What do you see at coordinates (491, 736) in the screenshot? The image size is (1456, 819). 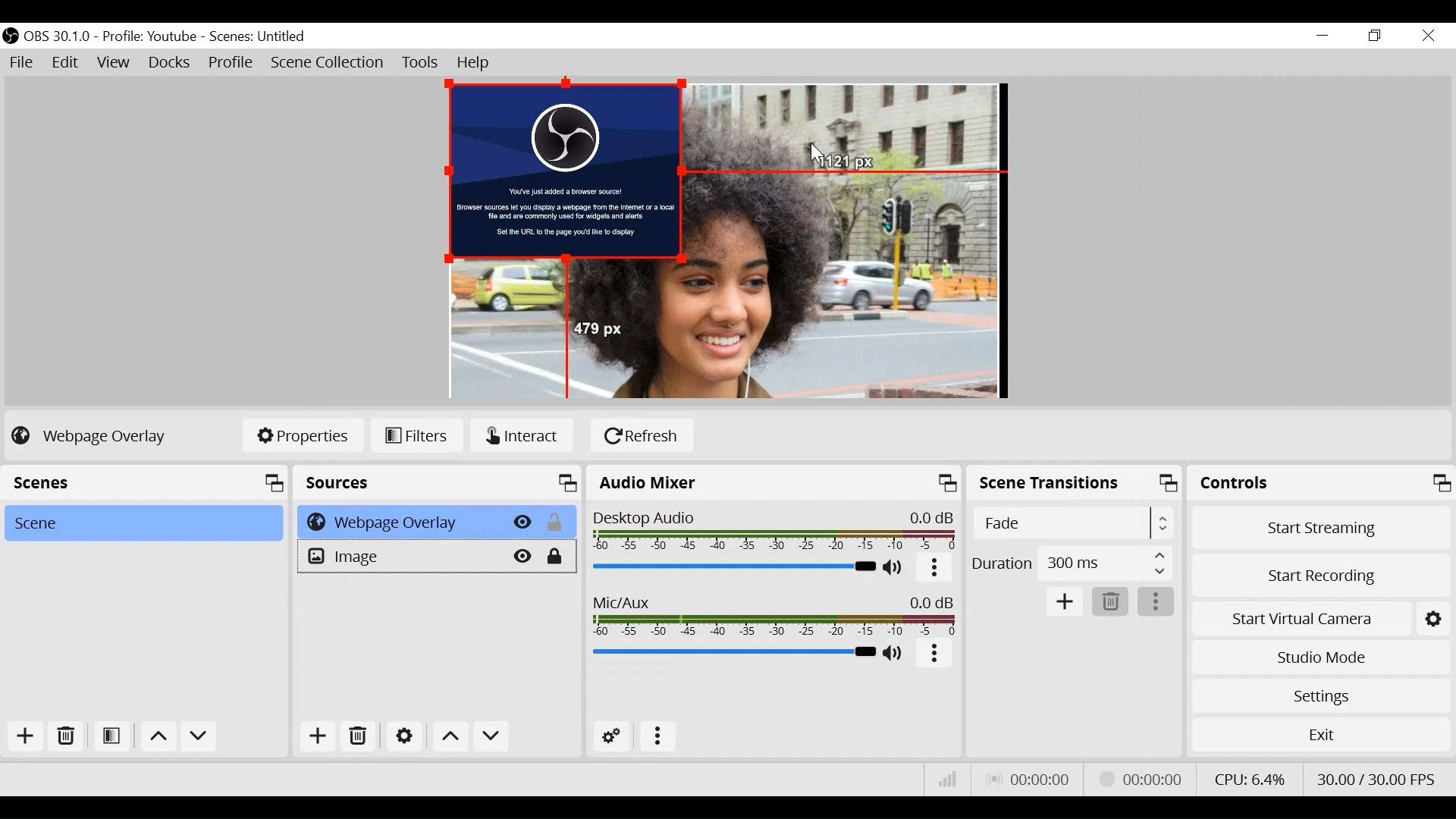 I see `Move down` at bounding box center [491, 736].